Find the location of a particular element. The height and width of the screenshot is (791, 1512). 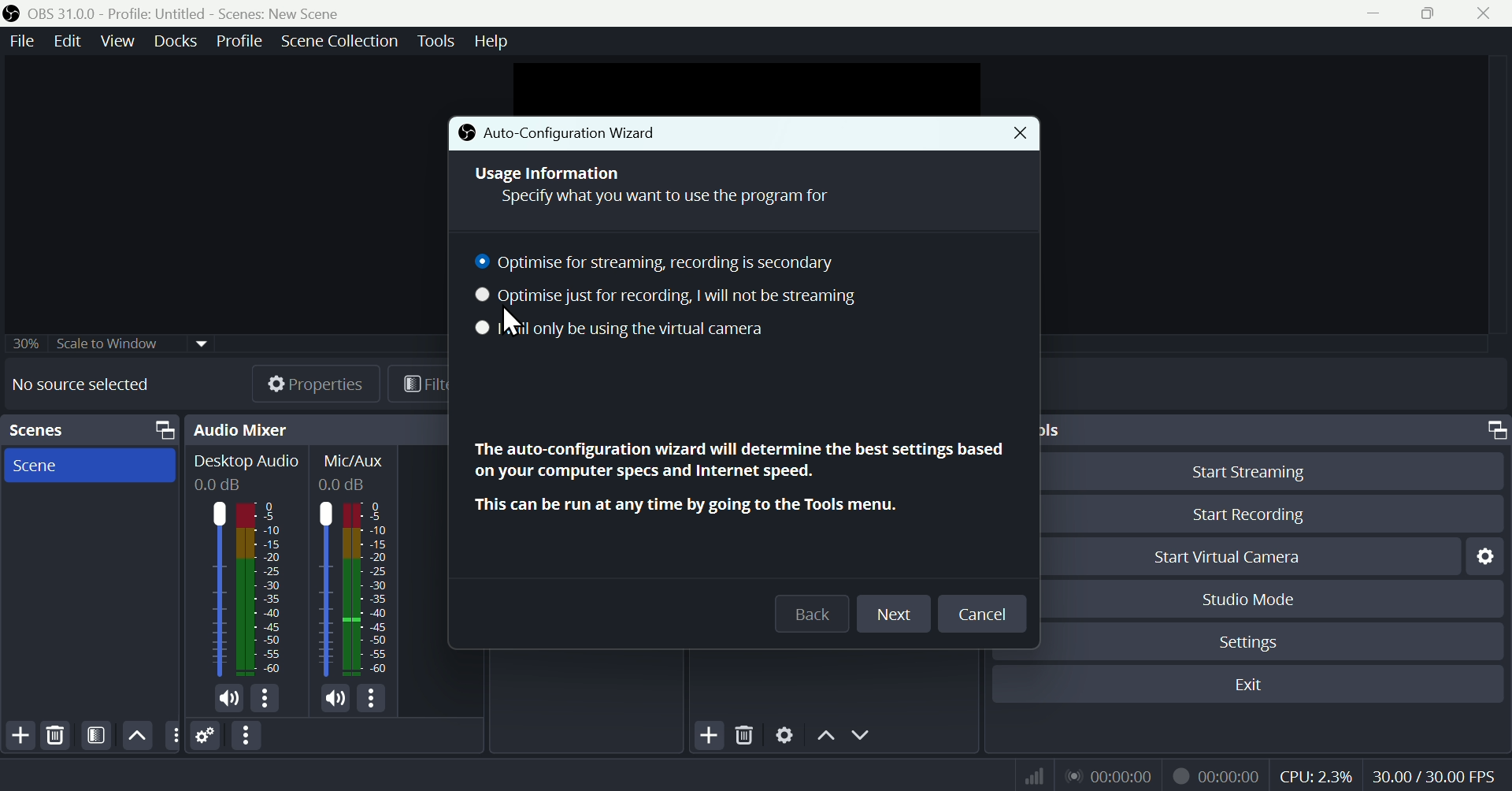

close is located at coordinates (1487, 13).